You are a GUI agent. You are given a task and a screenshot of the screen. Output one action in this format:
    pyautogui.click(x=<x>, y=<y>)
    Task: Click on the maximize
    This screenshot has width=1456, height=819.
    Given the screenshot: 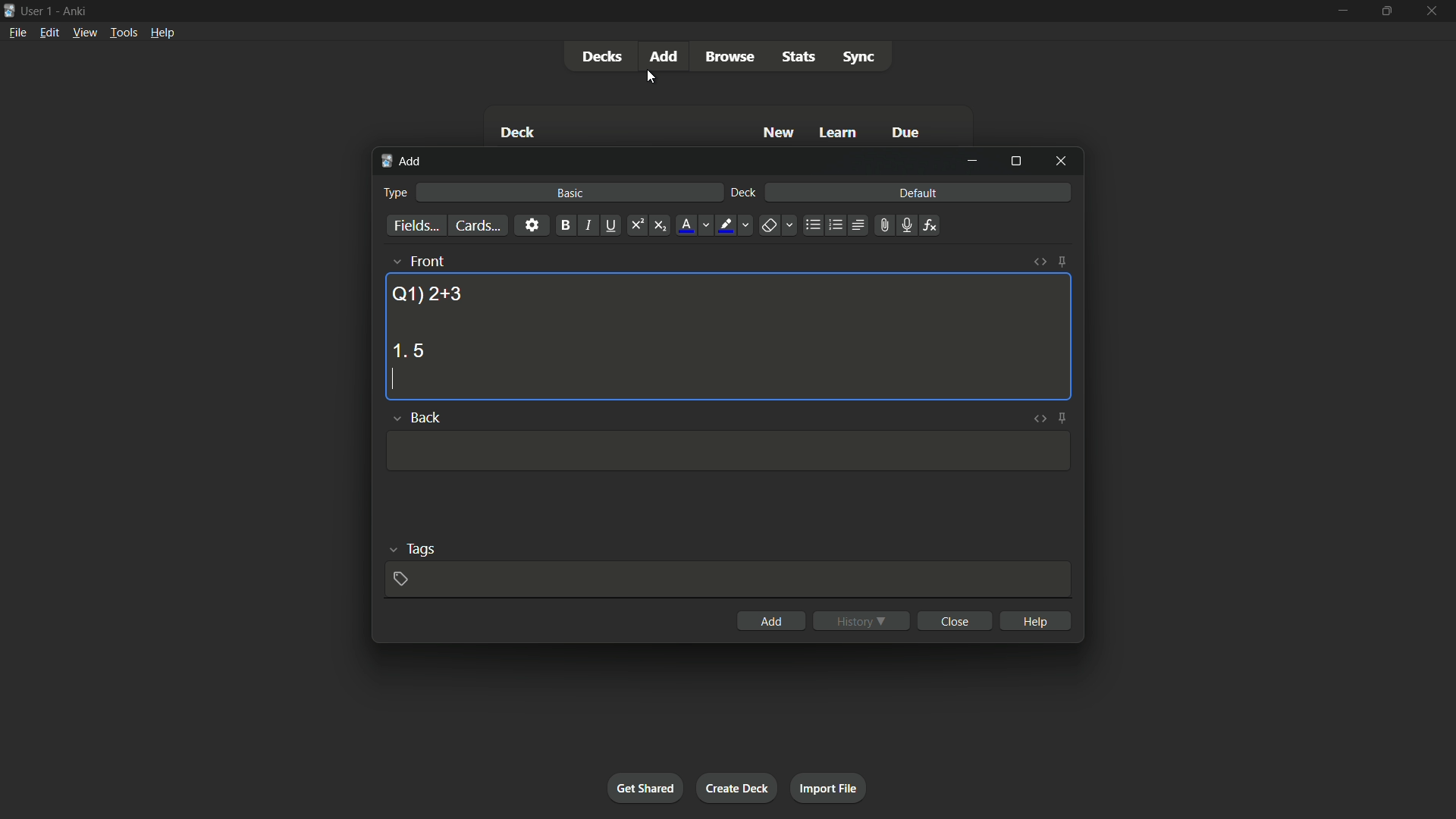 What is the action you would take?
    pyautogui.click(x=1385, y=11)
    